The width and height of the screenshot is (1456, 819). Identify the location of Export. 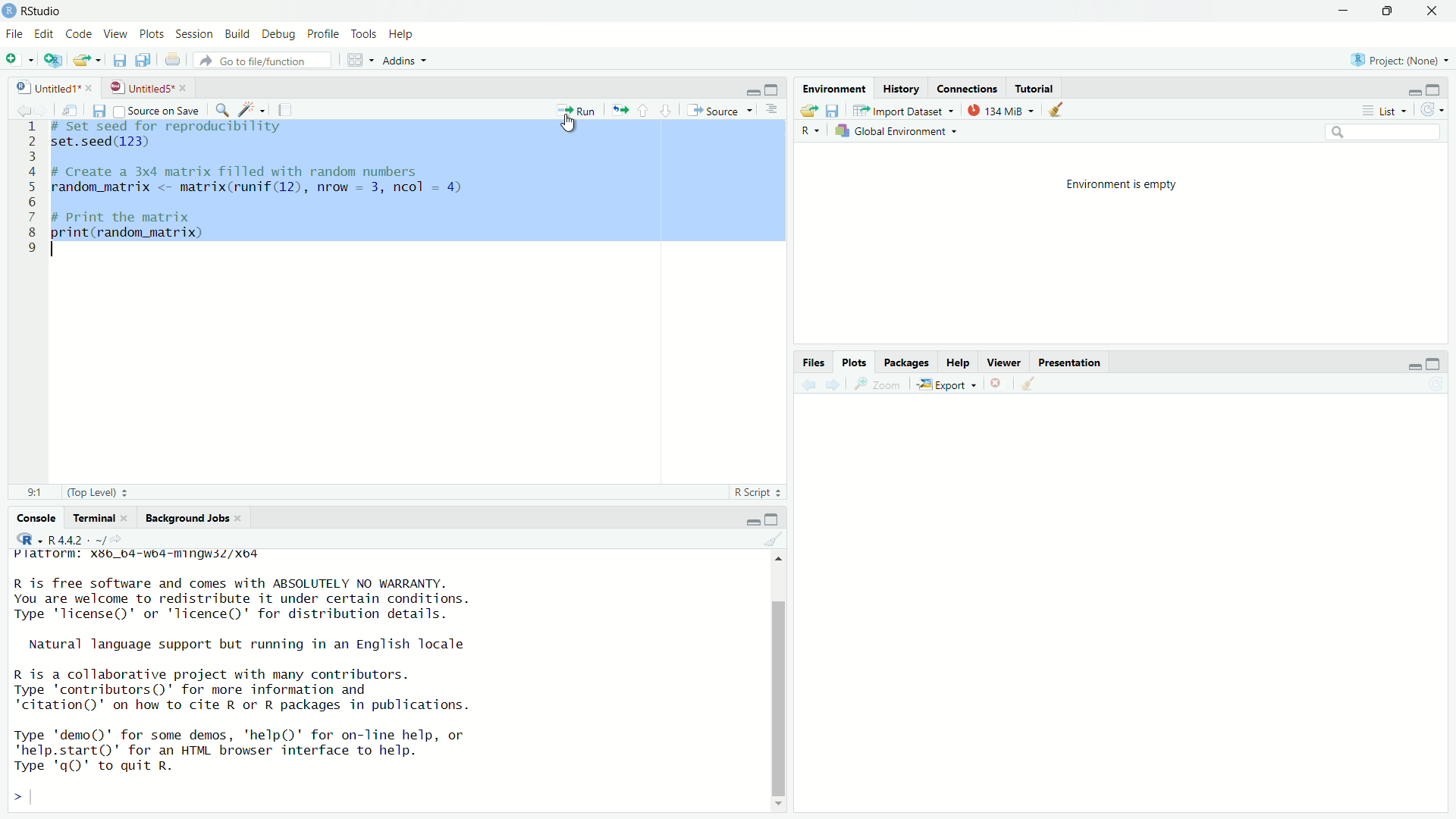
(944, 386).